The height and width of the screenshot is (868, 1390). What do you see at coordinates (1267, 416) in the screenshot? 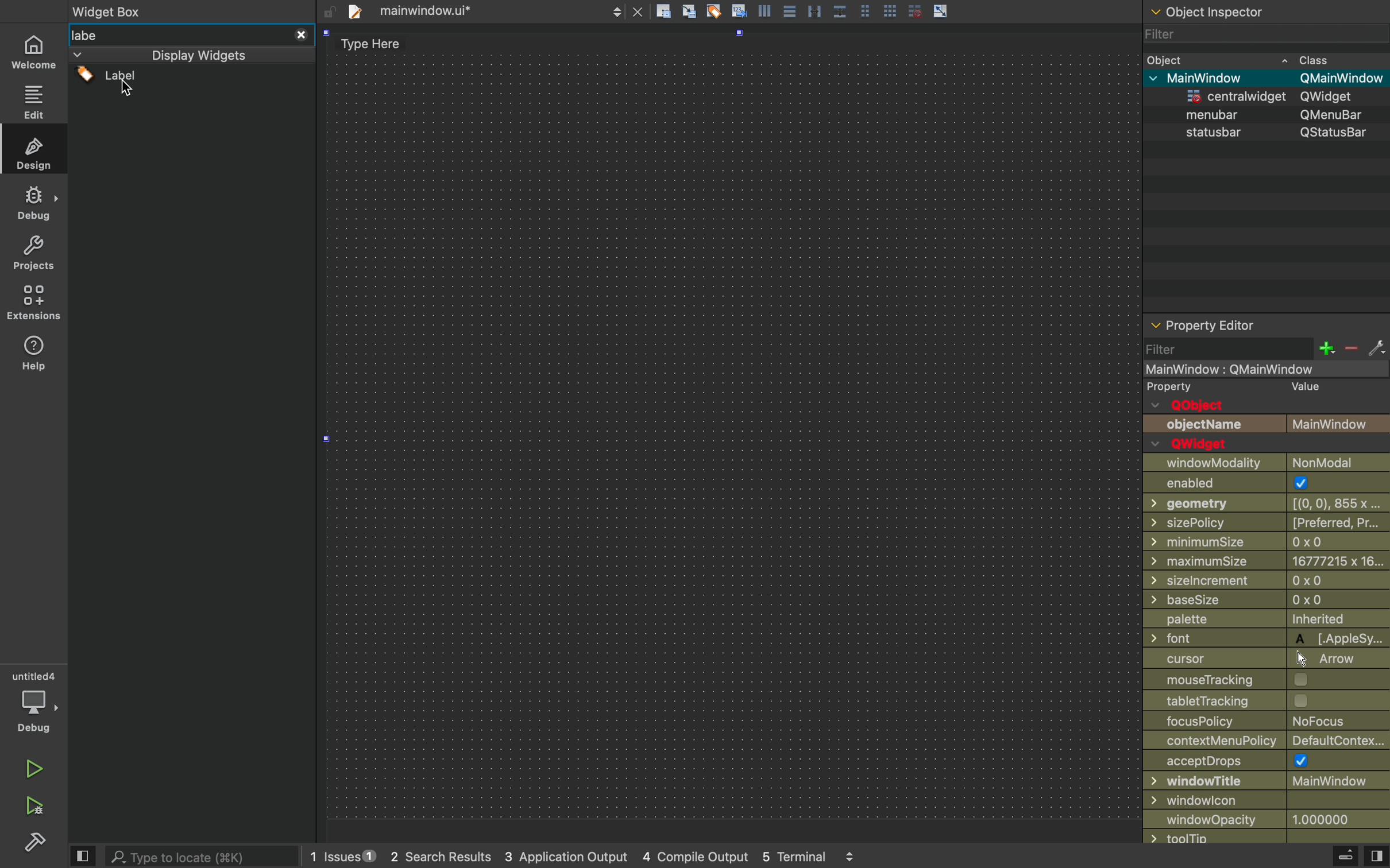
I see `objects` at bounding box center [1267, 416].